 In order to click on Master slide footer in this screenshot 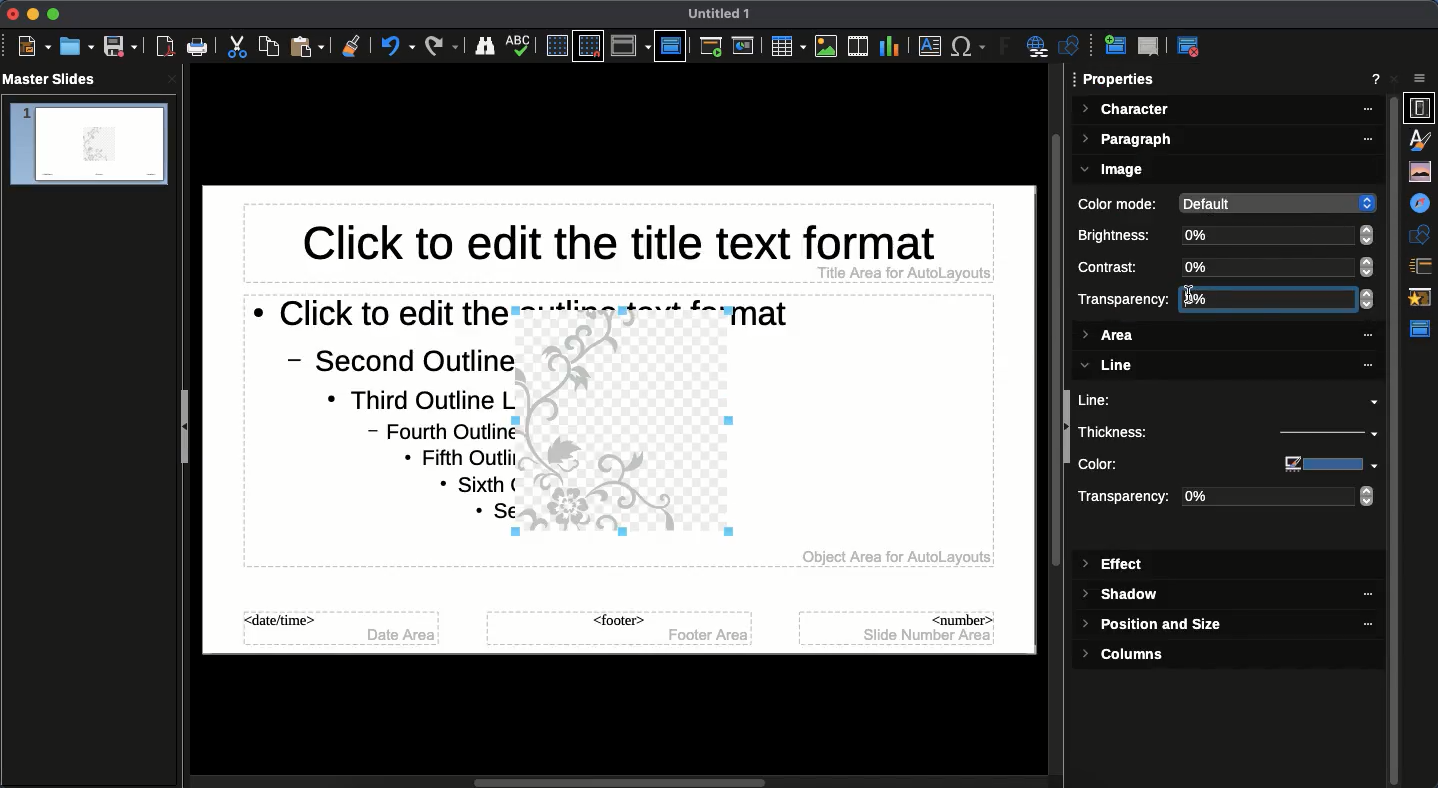, I will do `click(617, 629)`.